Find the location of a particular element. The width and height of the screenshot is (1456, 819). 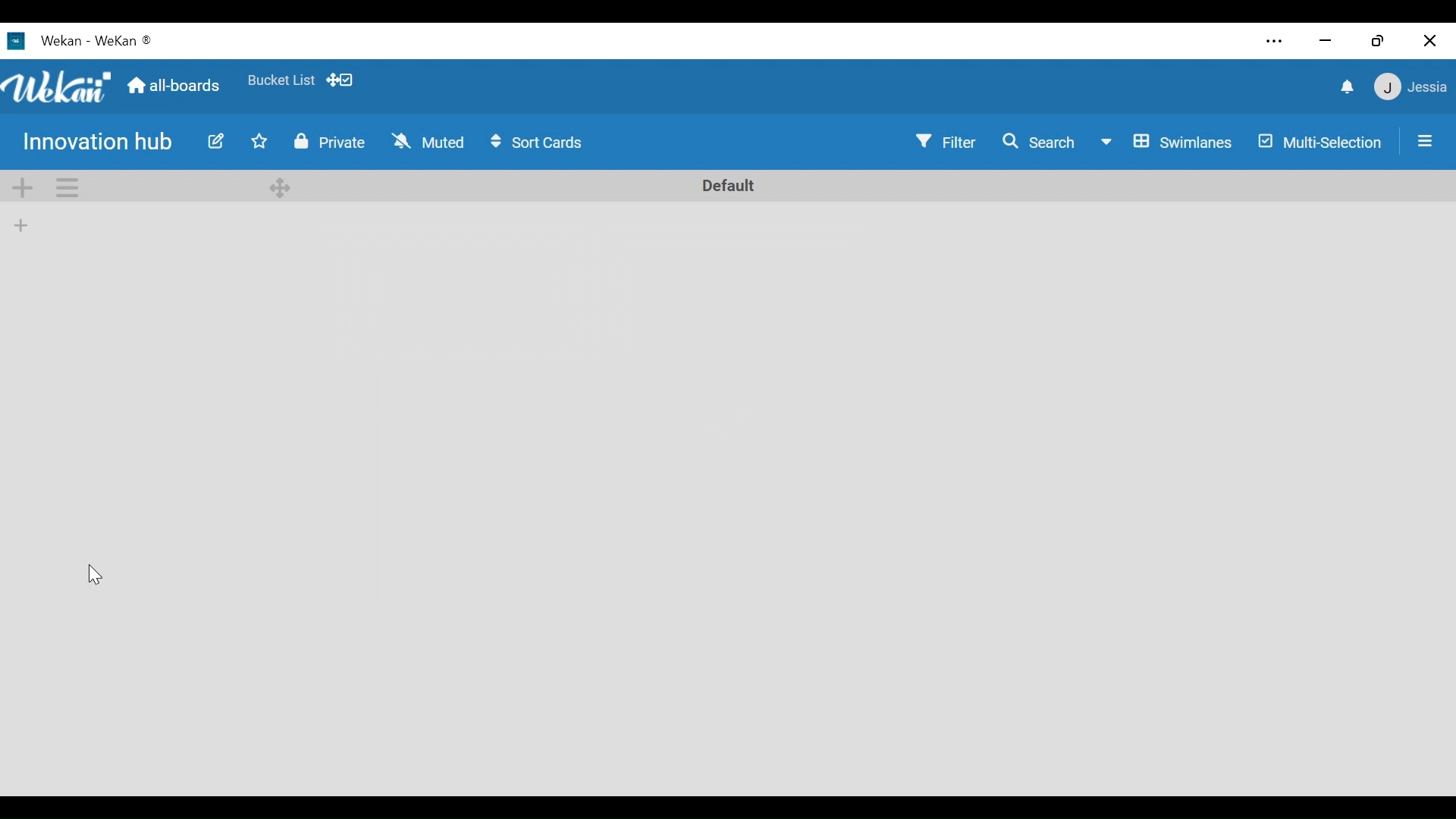

Desktop drag handles is located at coordinates (339, 80).